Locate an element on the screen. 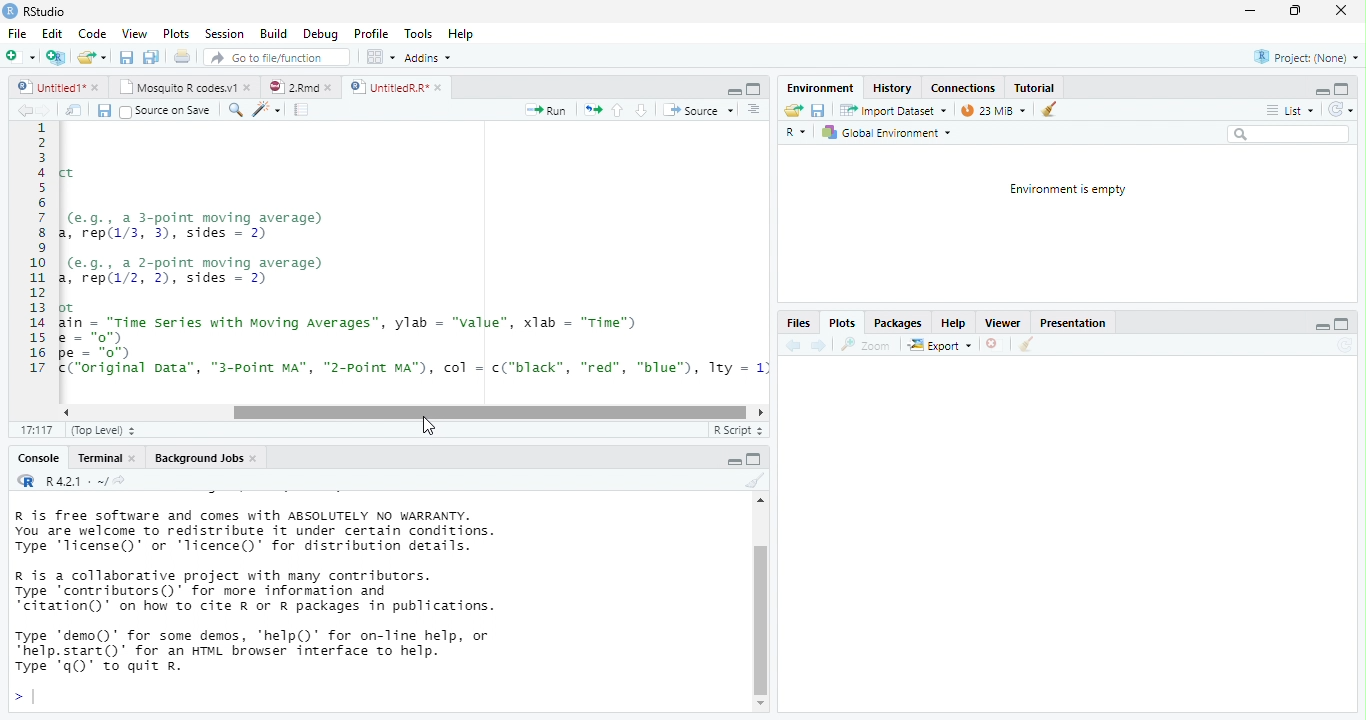 Image resolution: width=1366 pixels, height=720 pixels. close is located at coordinates (1340, 11).